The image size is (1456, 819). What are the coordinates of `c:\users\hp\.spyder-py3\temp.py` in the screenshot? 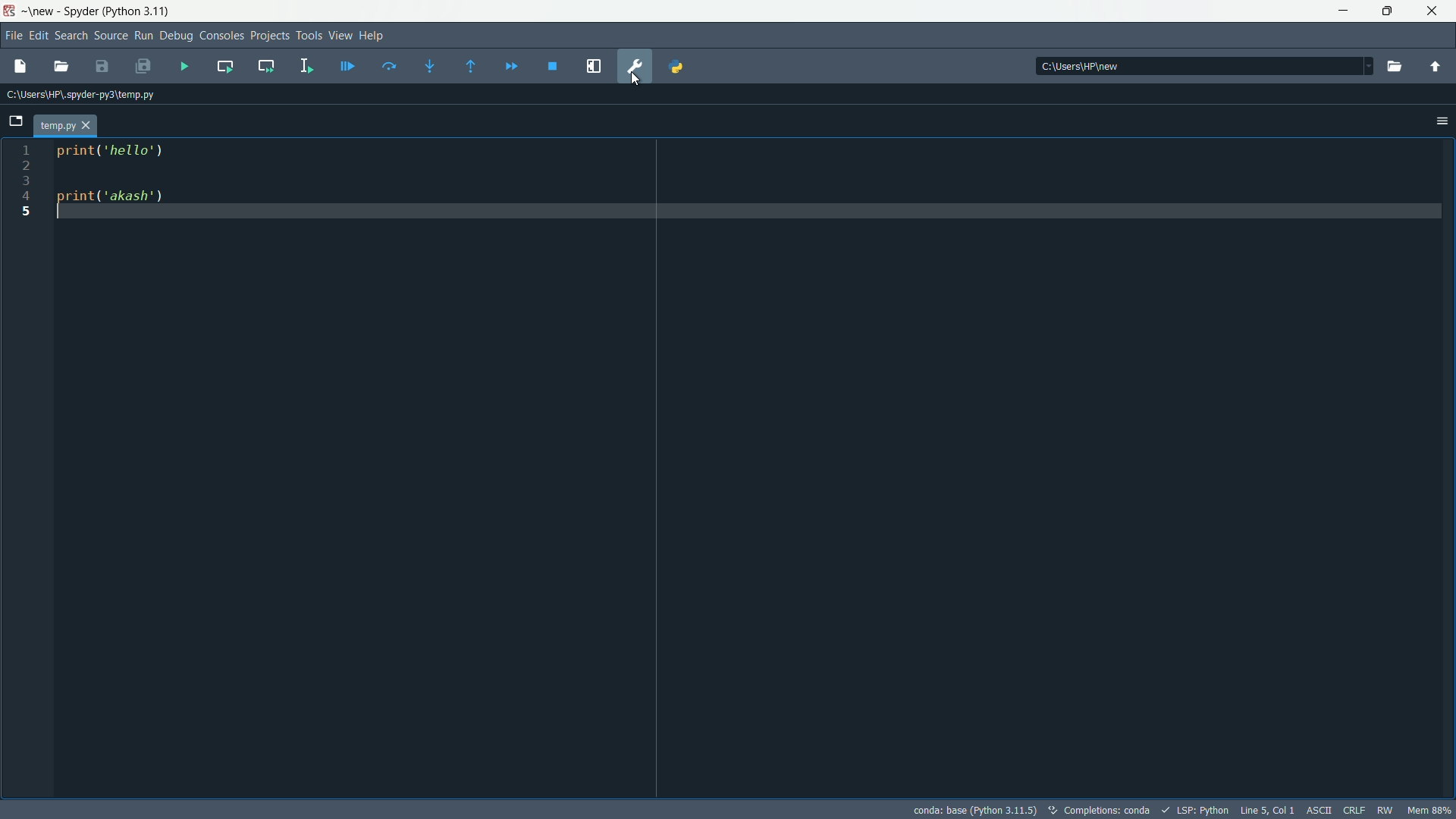 It's located at (88, 94).